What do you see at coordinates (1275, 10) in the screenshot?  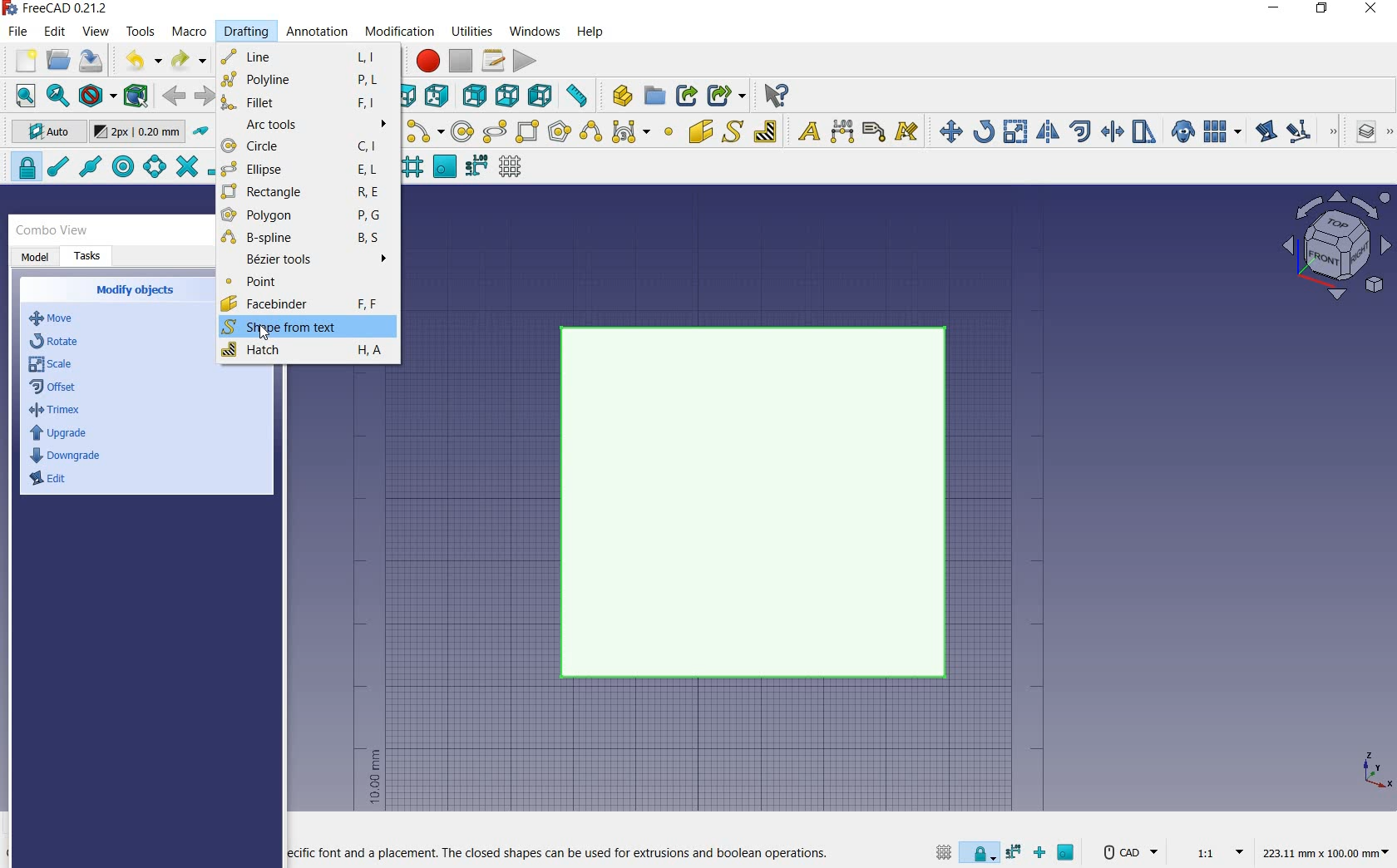 I see `minimize` at bounding box center [1275, 10].